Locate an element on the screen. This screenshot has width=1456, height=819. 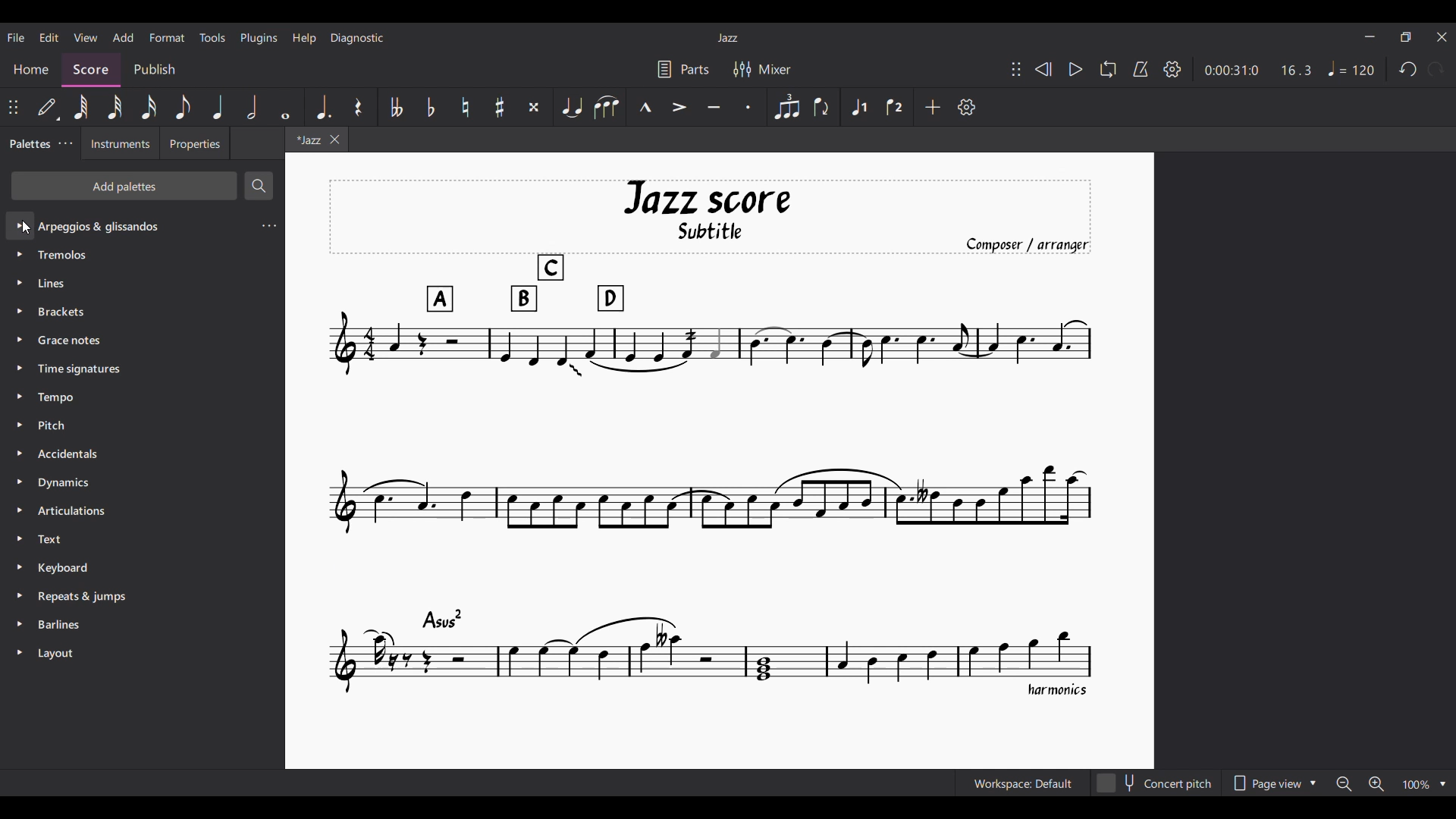
Dynamics is located at coordinates (64, 481).